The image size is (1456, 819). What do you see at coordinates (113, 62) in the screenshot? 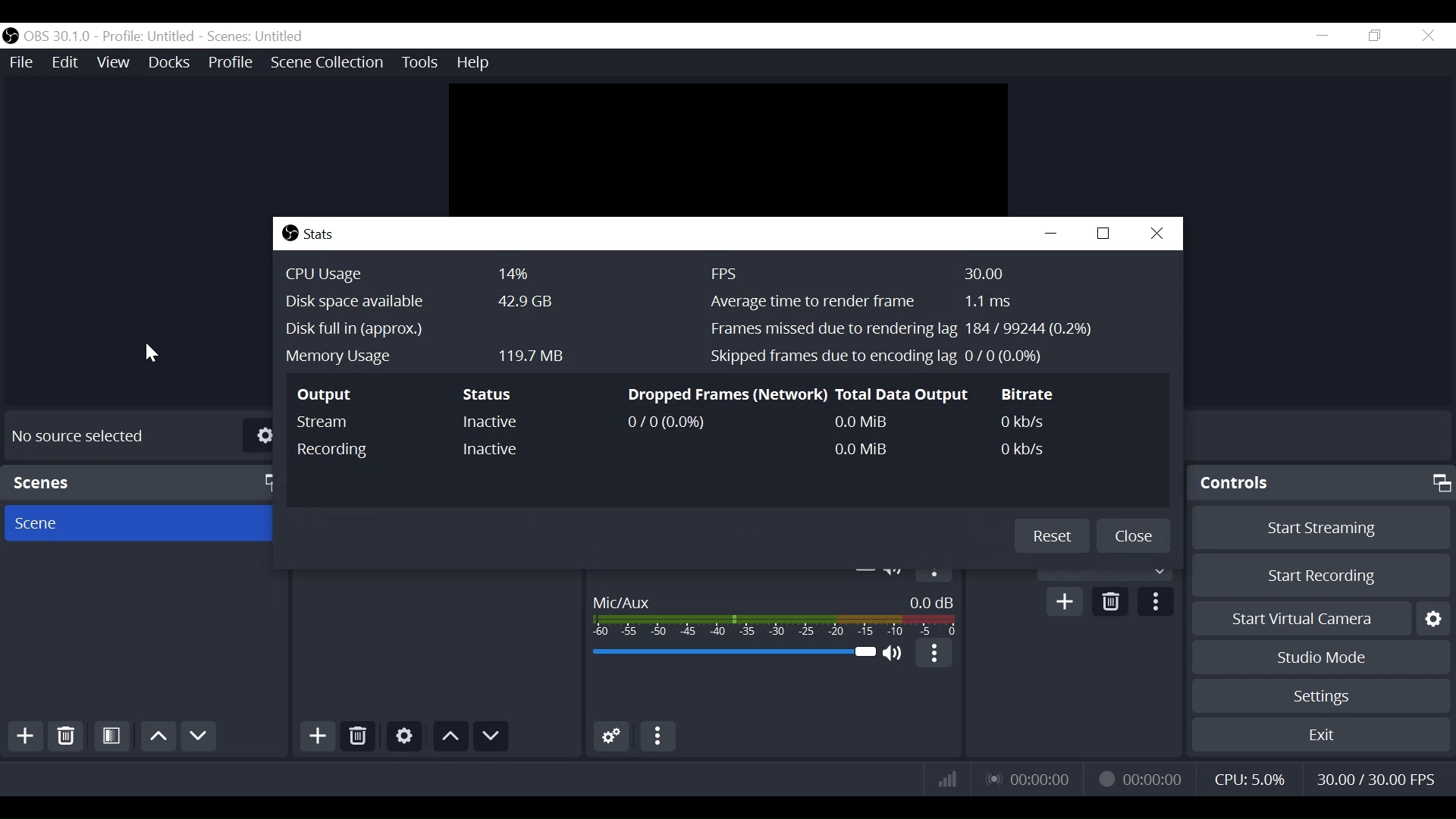
I see `View` at bounding box center [113, 62].